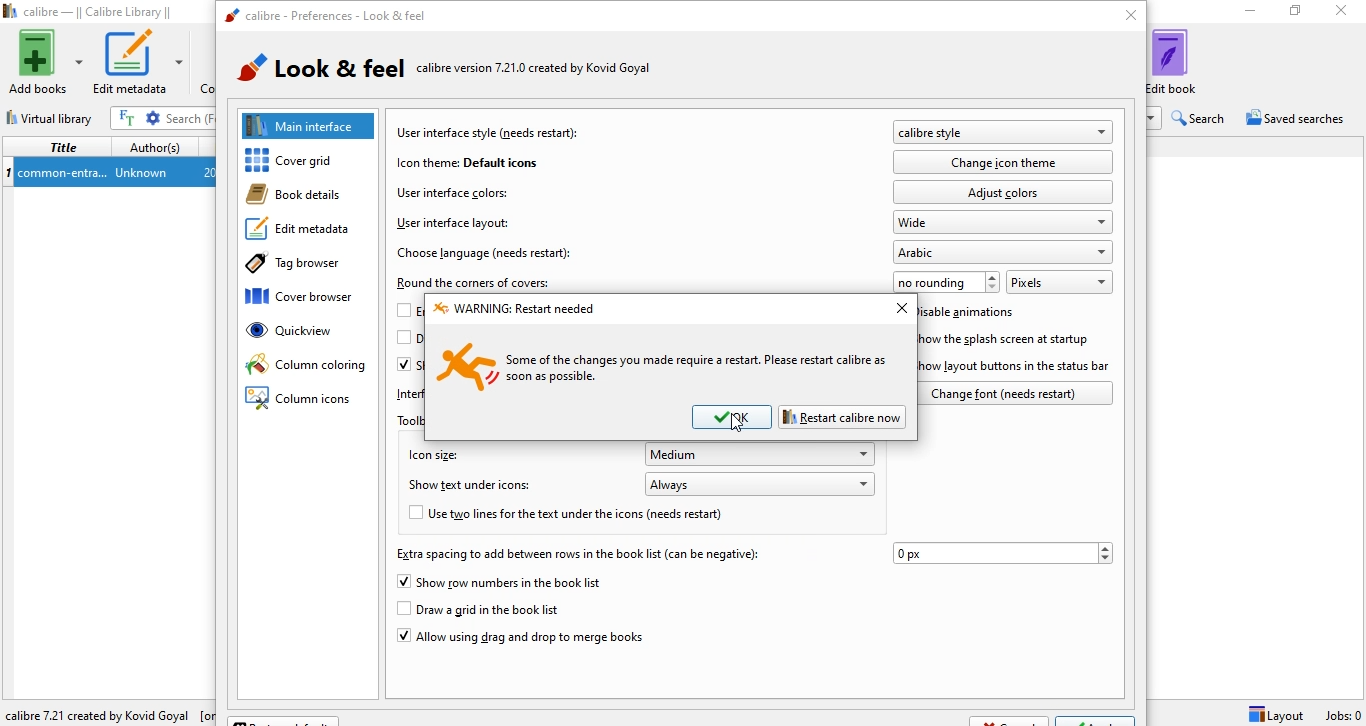  Describe the element at coordinates (452, 191) in the screenshot. I see `user interface colors` at that location.